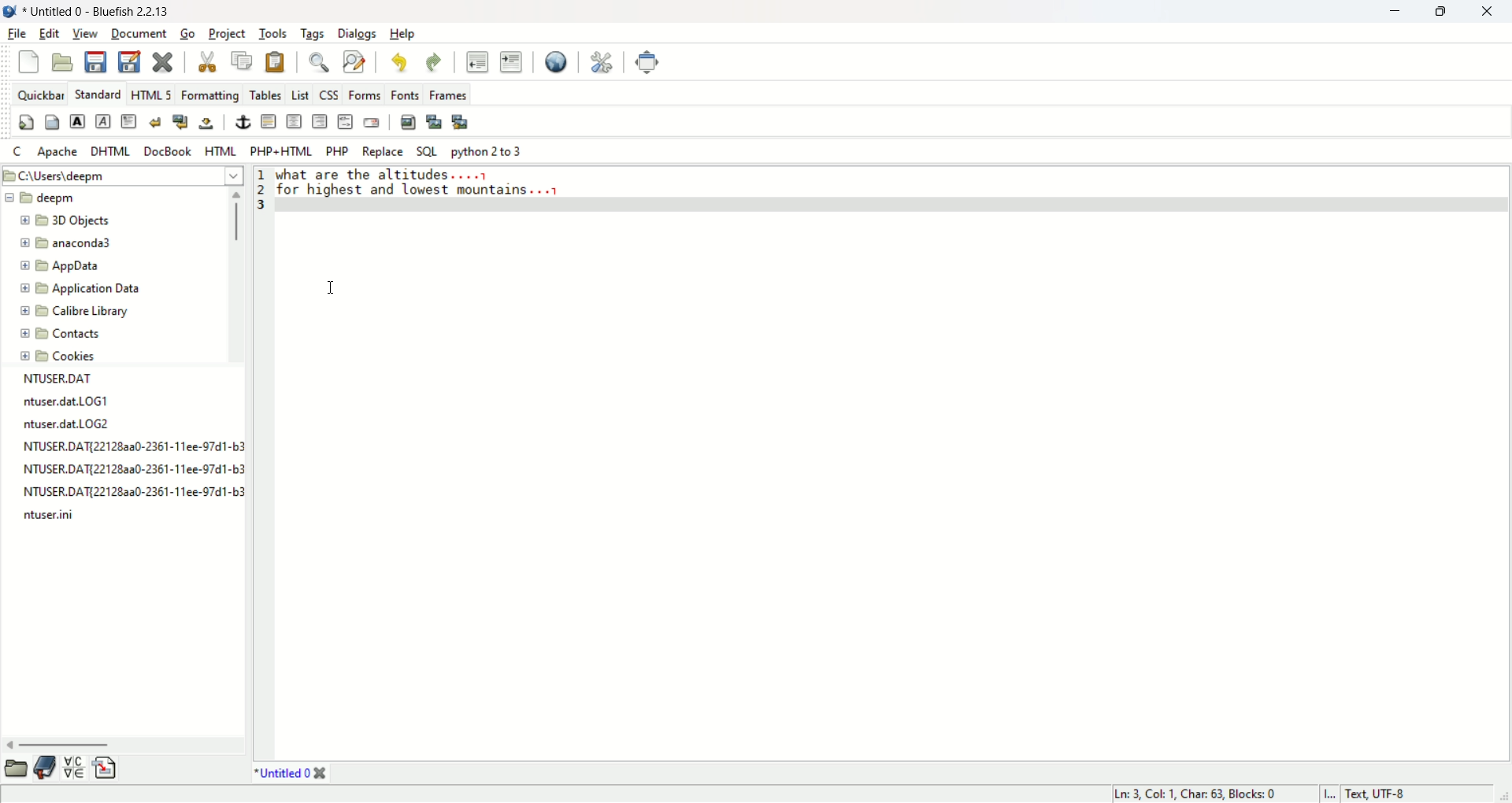  Describe the element at coordinates (213, 94) in the screenshot. I see `formatting` at that location.